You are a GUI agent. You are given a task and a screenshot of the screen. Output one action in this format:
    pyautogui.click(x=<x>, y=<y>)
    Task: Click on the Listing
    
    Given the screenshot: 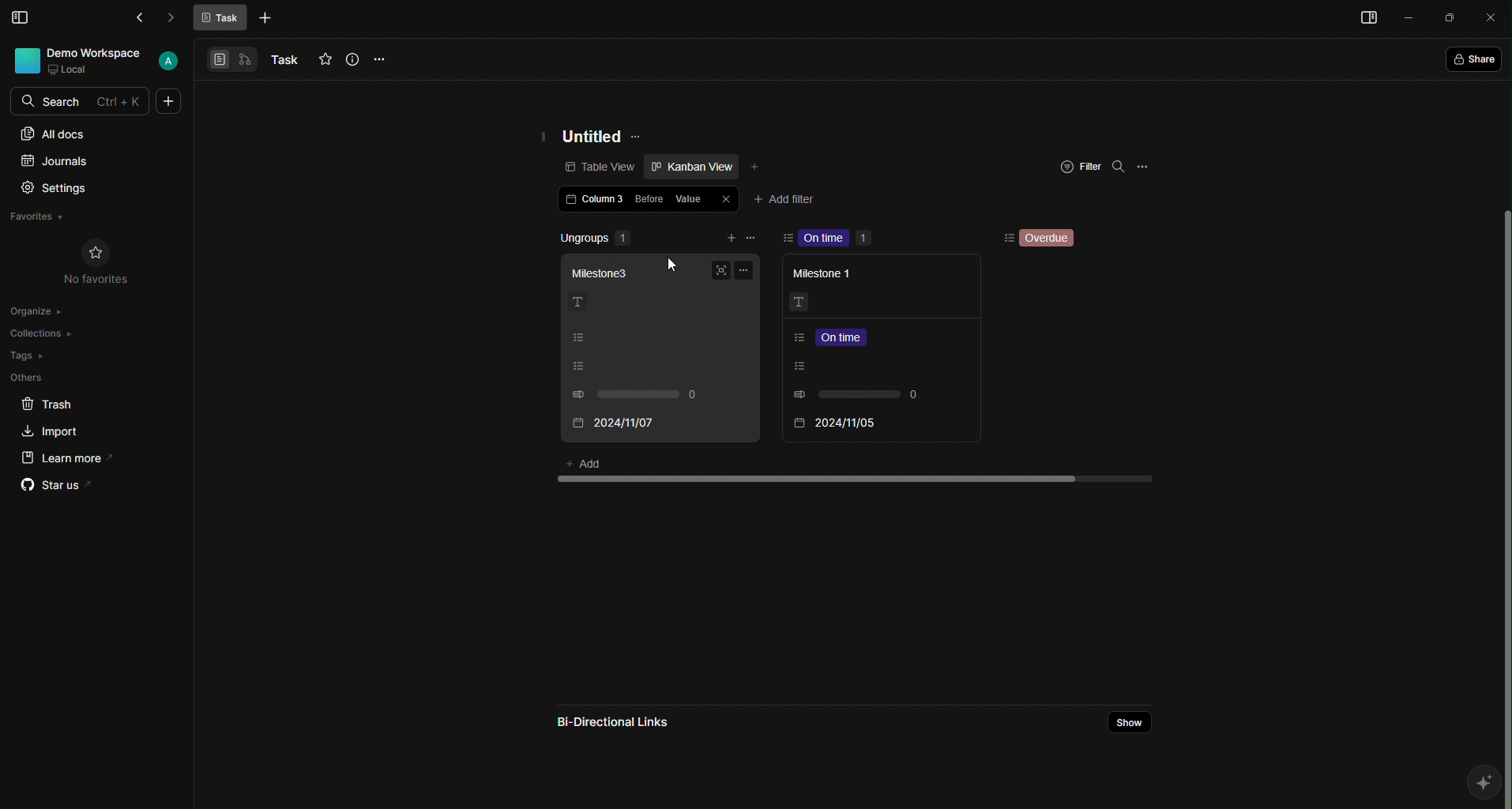 What is the action you would take?
    pyautogui.click(x=590, y=367)
    